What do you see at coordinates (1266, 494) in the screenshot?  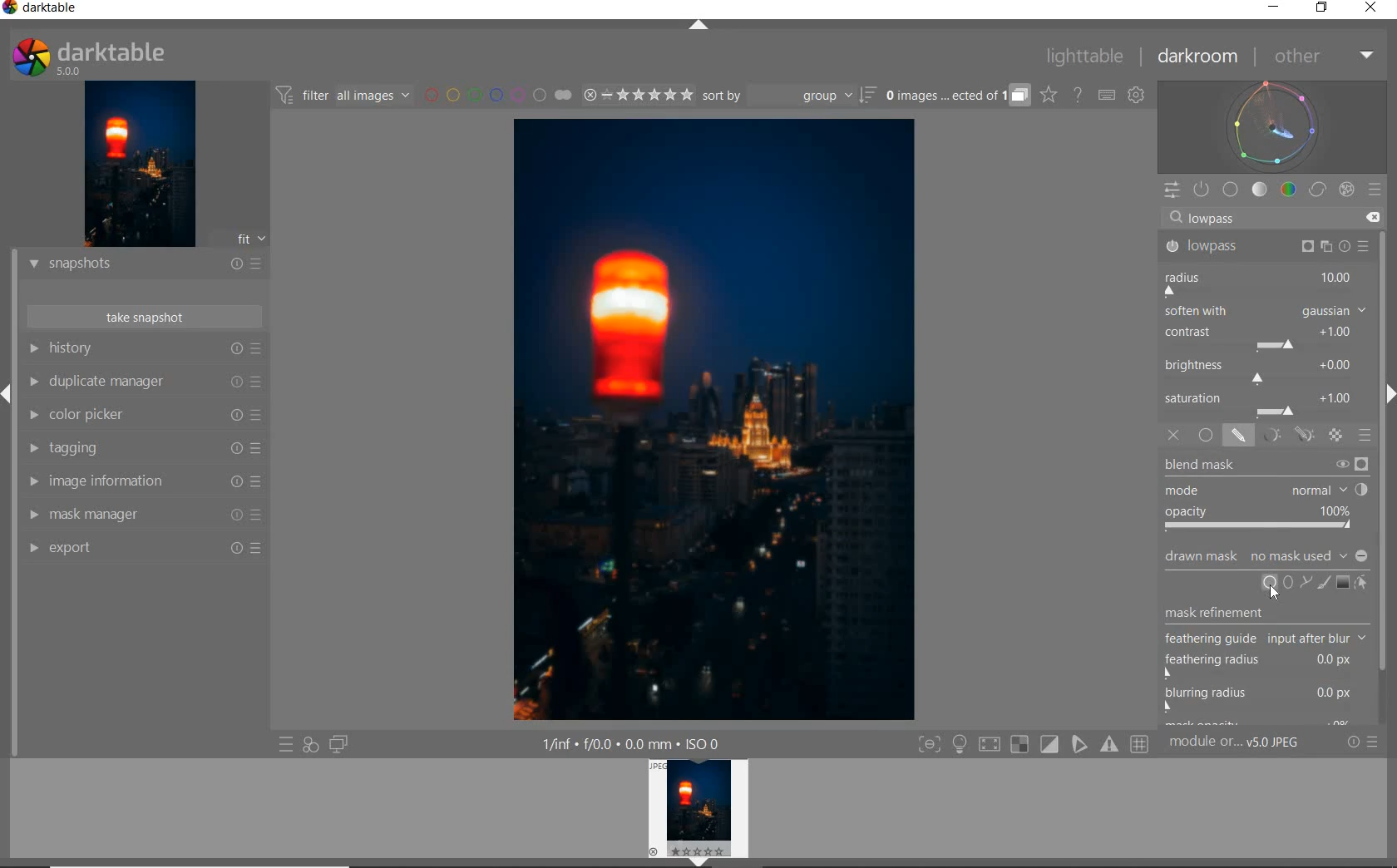 I see `BLEND MASK` at bounding box center [1266, 494].